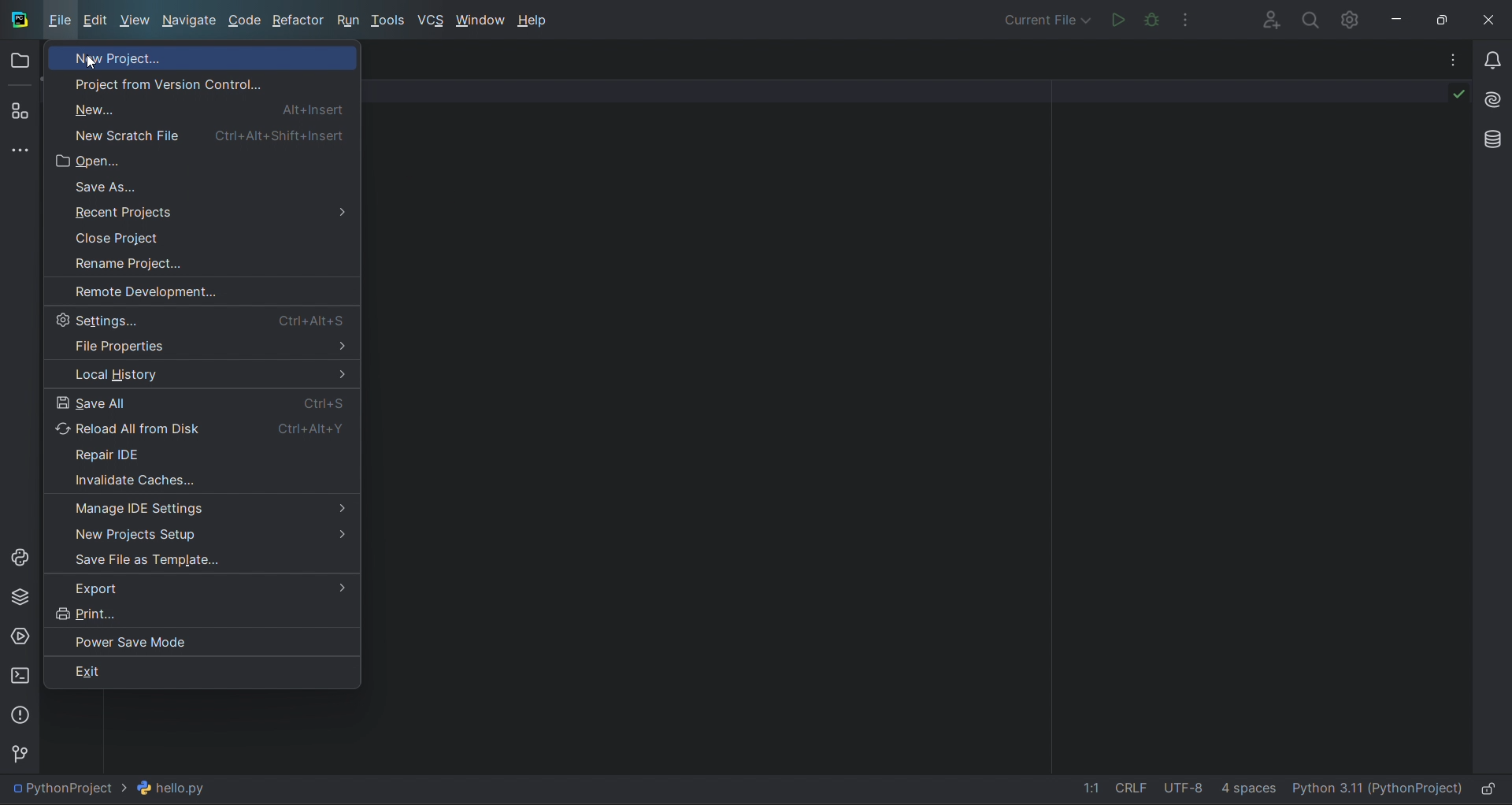  Describe the element at coordinates (206, 402) in the screenshot. I see `save ` at that location.